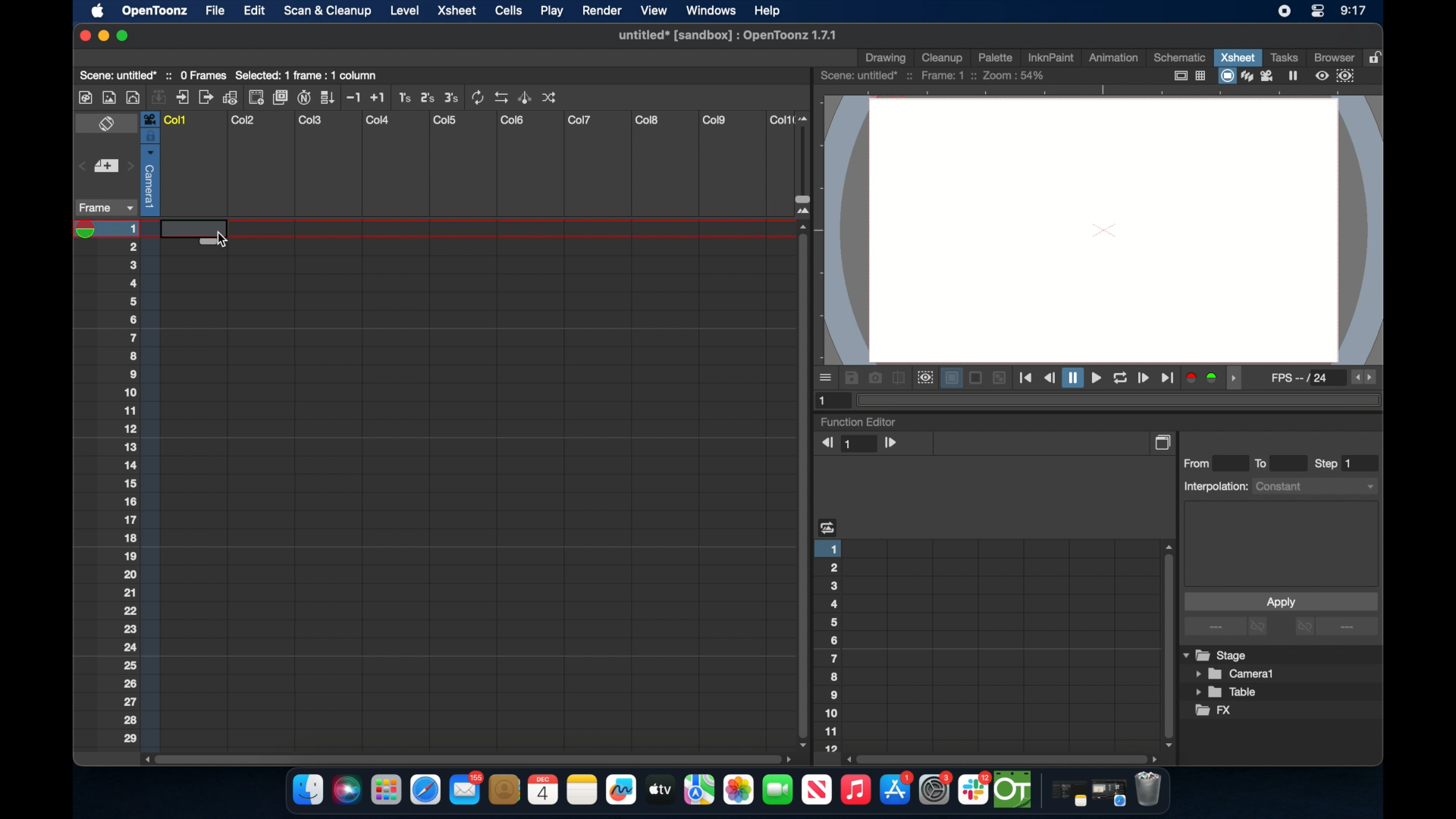 Image resolution: width=1456 pixels, height=819 pixels. Describe the element at coordinates (306, 790) in the screenshot. I see `finder` at that location.